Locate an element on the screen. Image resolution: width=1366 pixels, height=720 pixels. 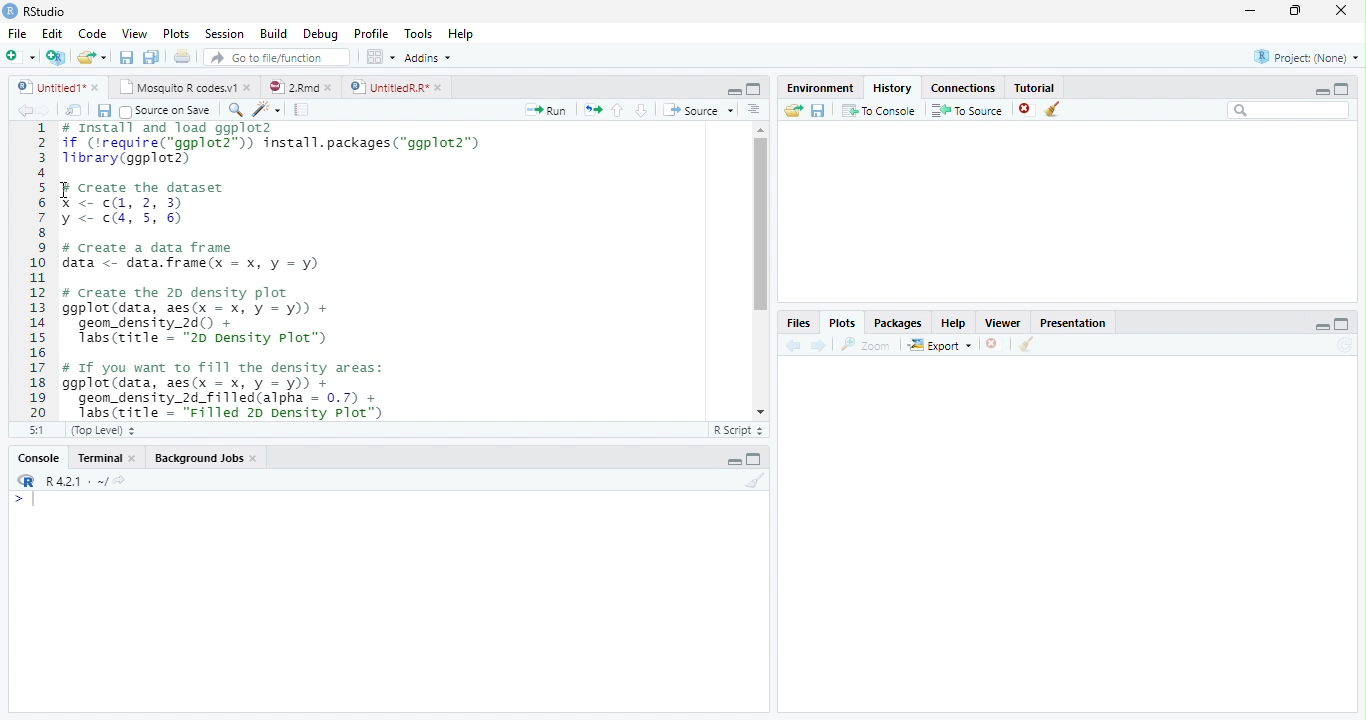
To console is located at coordinates (880, 110).